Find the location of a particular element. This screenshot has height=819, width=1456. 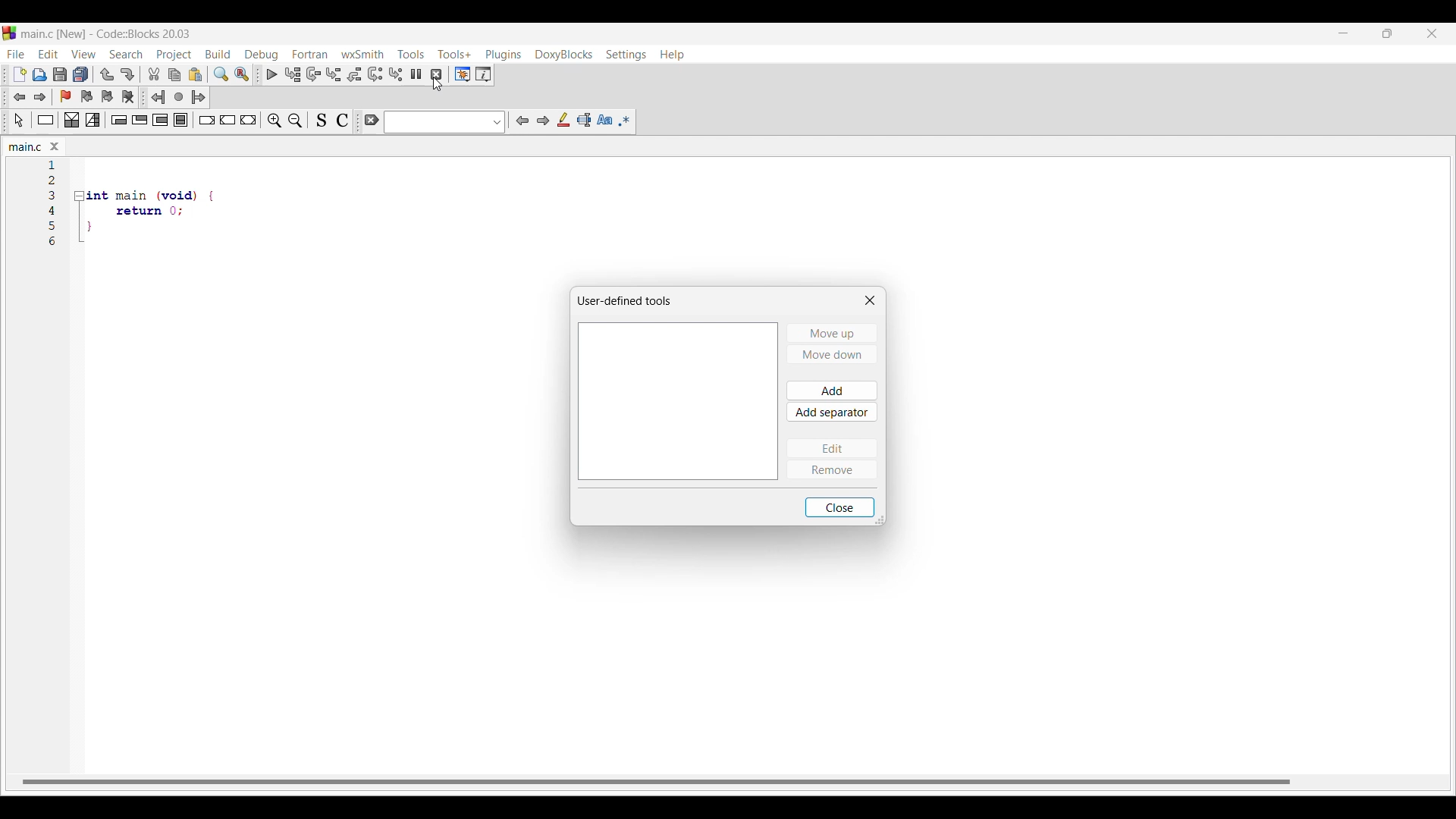

Jump back is located at coordinates (158, 97).